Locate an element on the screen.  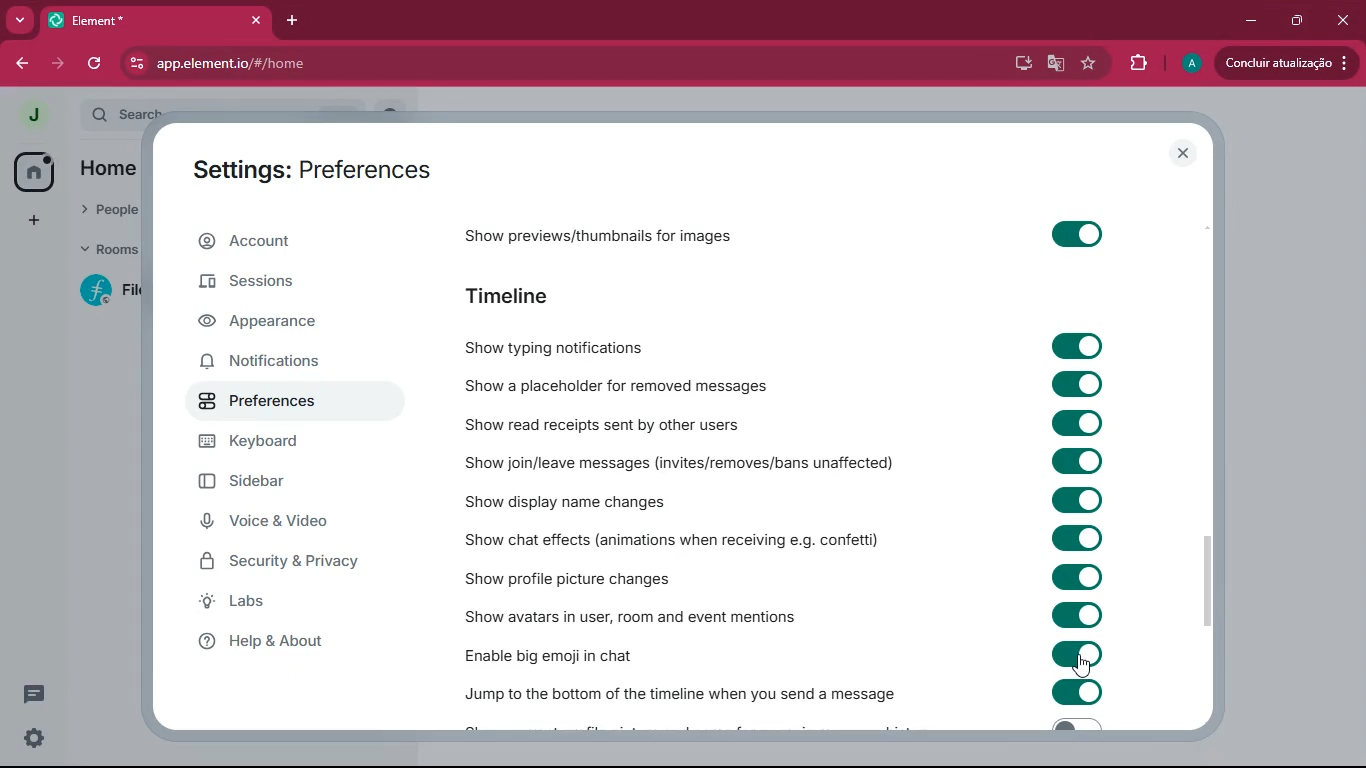
settings: preferences is located at coordinates (318, 170).